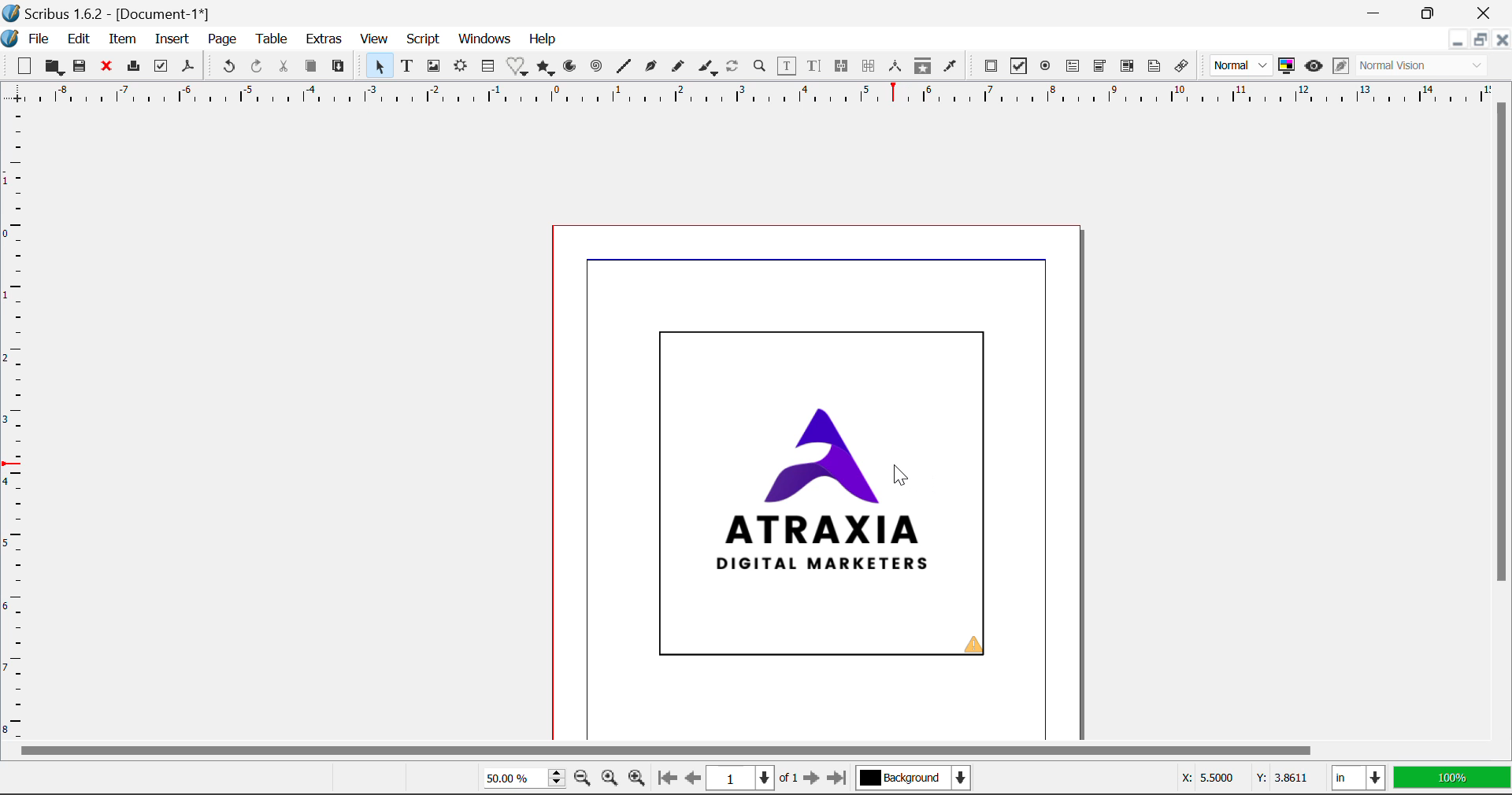 Image resolution: width=1512 pixels, height=795 pixels. I want to click on Copy, so click(311, 68).